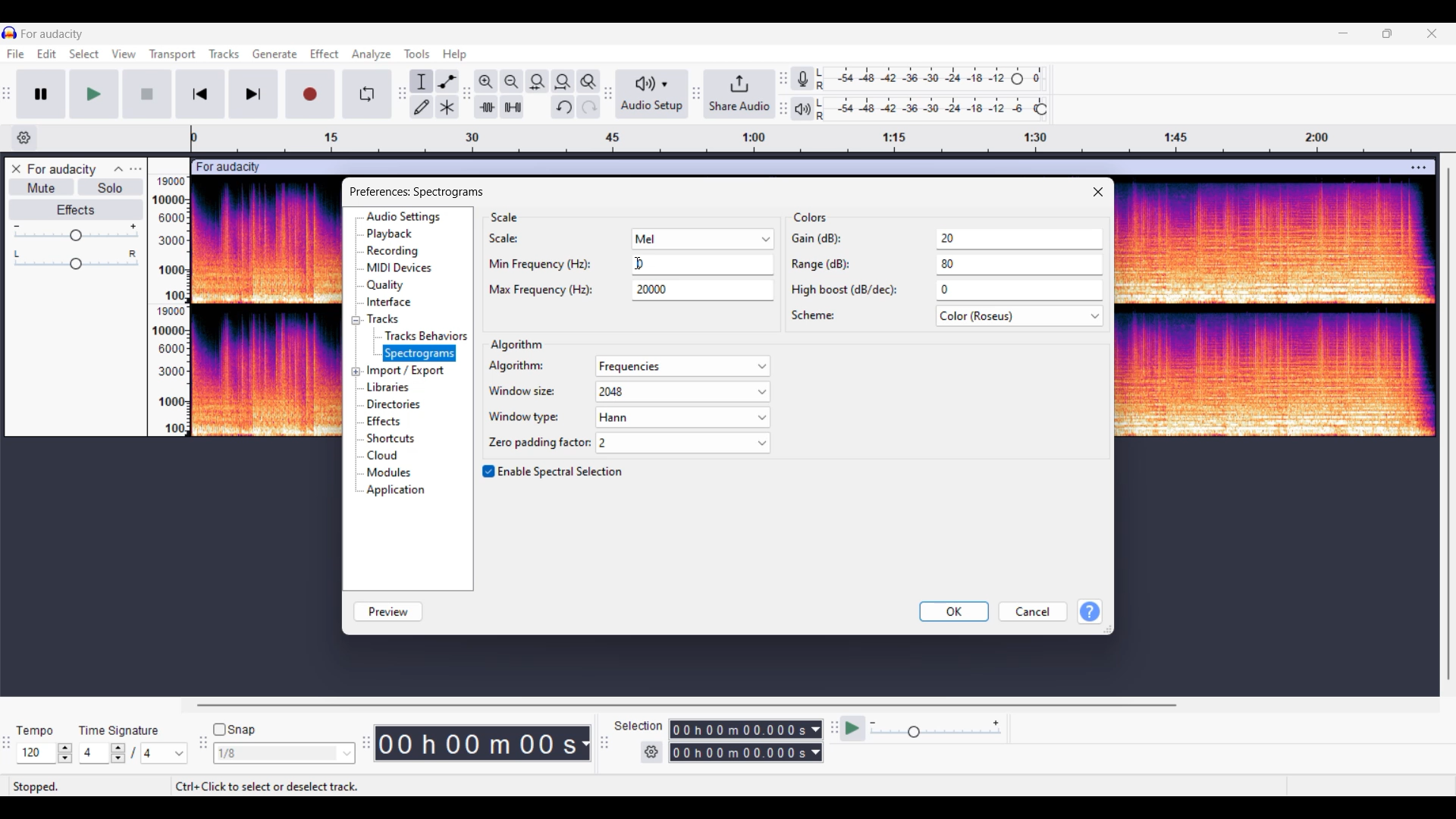 This screenshot has height=819, width=1456. What do you see at coordinates (486, 107) in the screenshot?
I see `Trim audio outside selection` at bounding box center [486, 107].